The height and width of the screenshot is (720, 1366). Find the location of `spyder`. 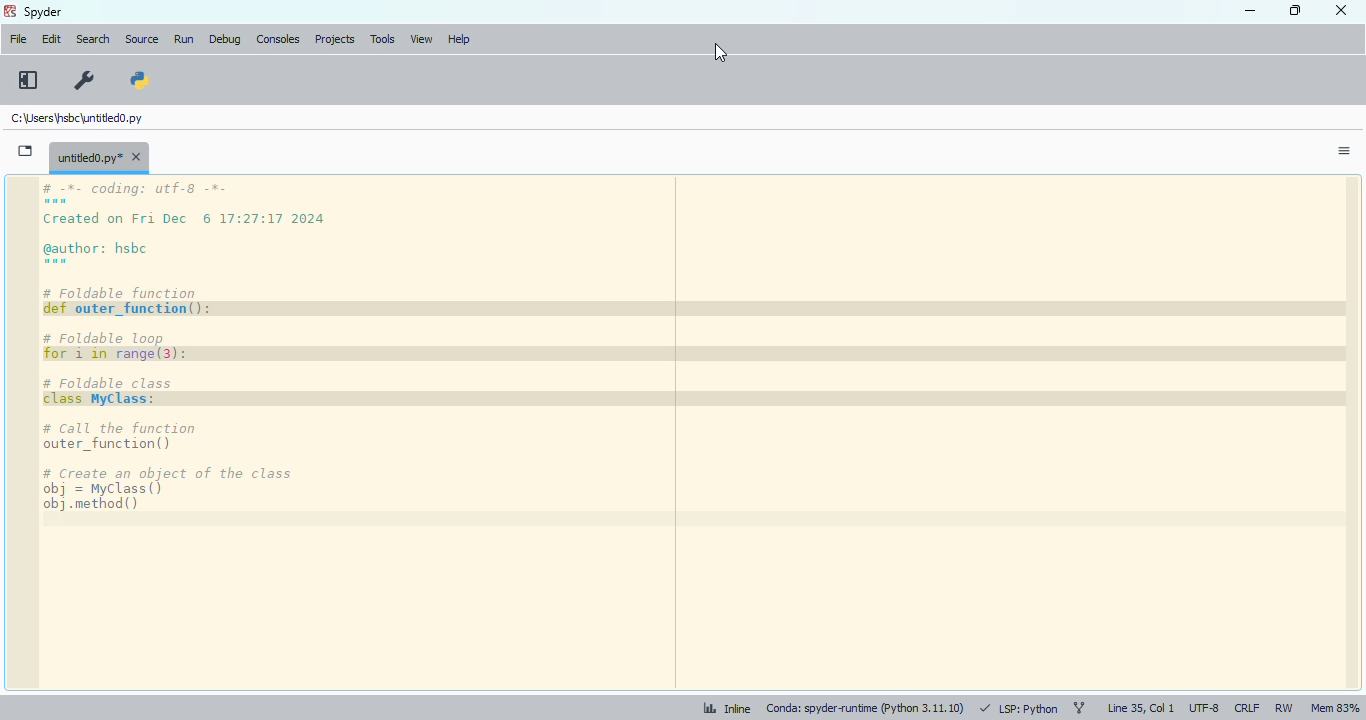

spyder is located at coordinates (44, 12).